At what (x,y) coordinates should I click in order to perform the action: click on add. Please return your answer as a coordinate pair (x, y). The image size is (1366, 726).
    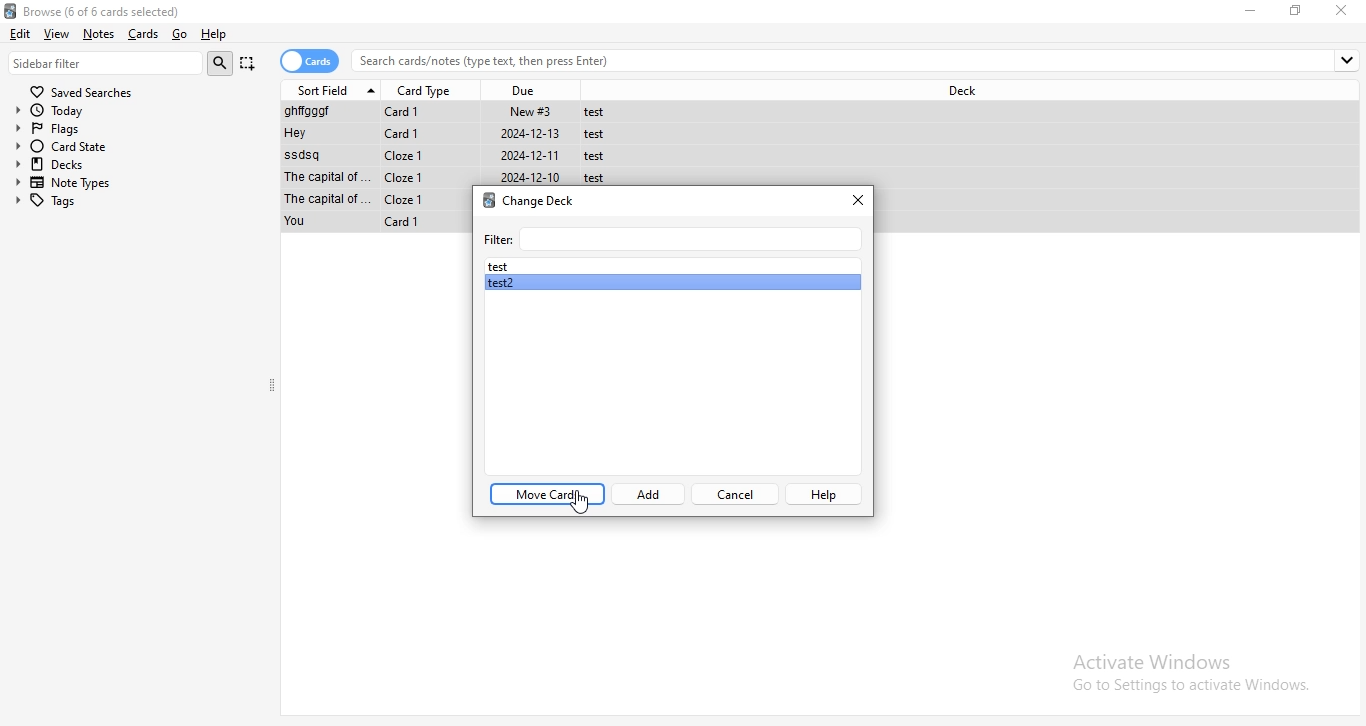
    Looking at the image, I should click on (648, 493).